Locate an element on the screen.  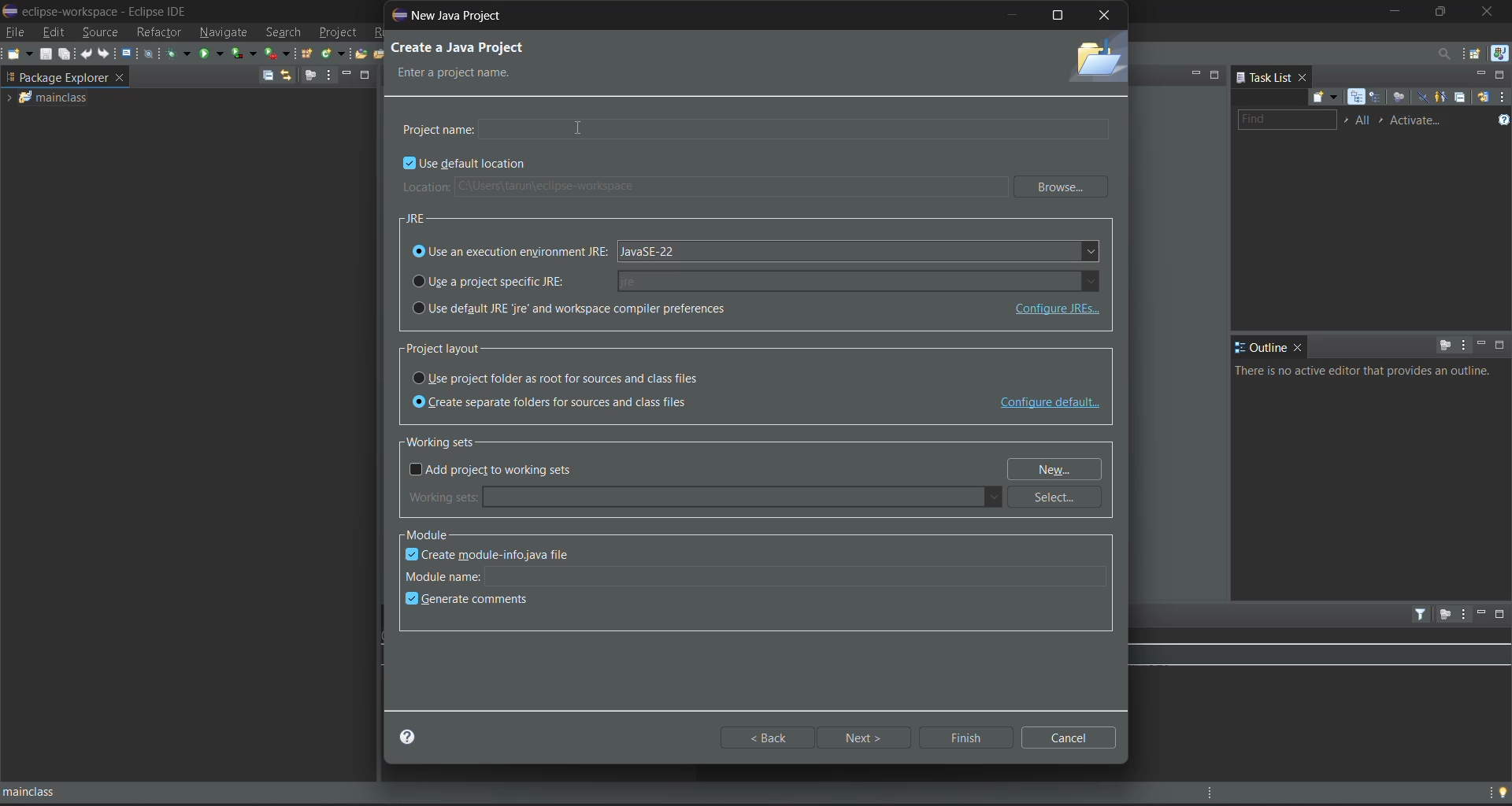
use default location is located at coordinates (467, 165).